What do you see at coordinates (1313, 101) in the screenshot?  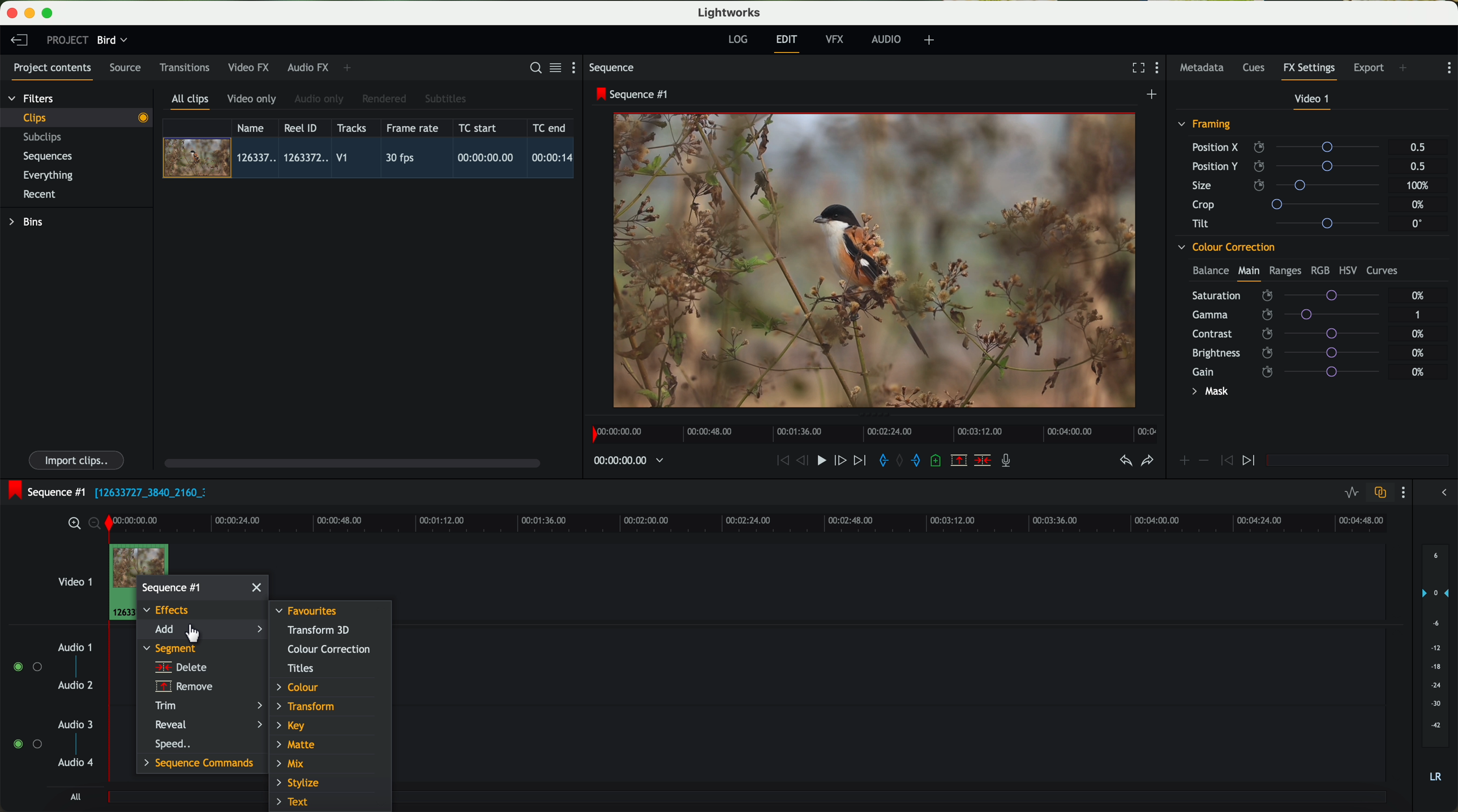 I see `video 1` at bounding box center [1313, 101].